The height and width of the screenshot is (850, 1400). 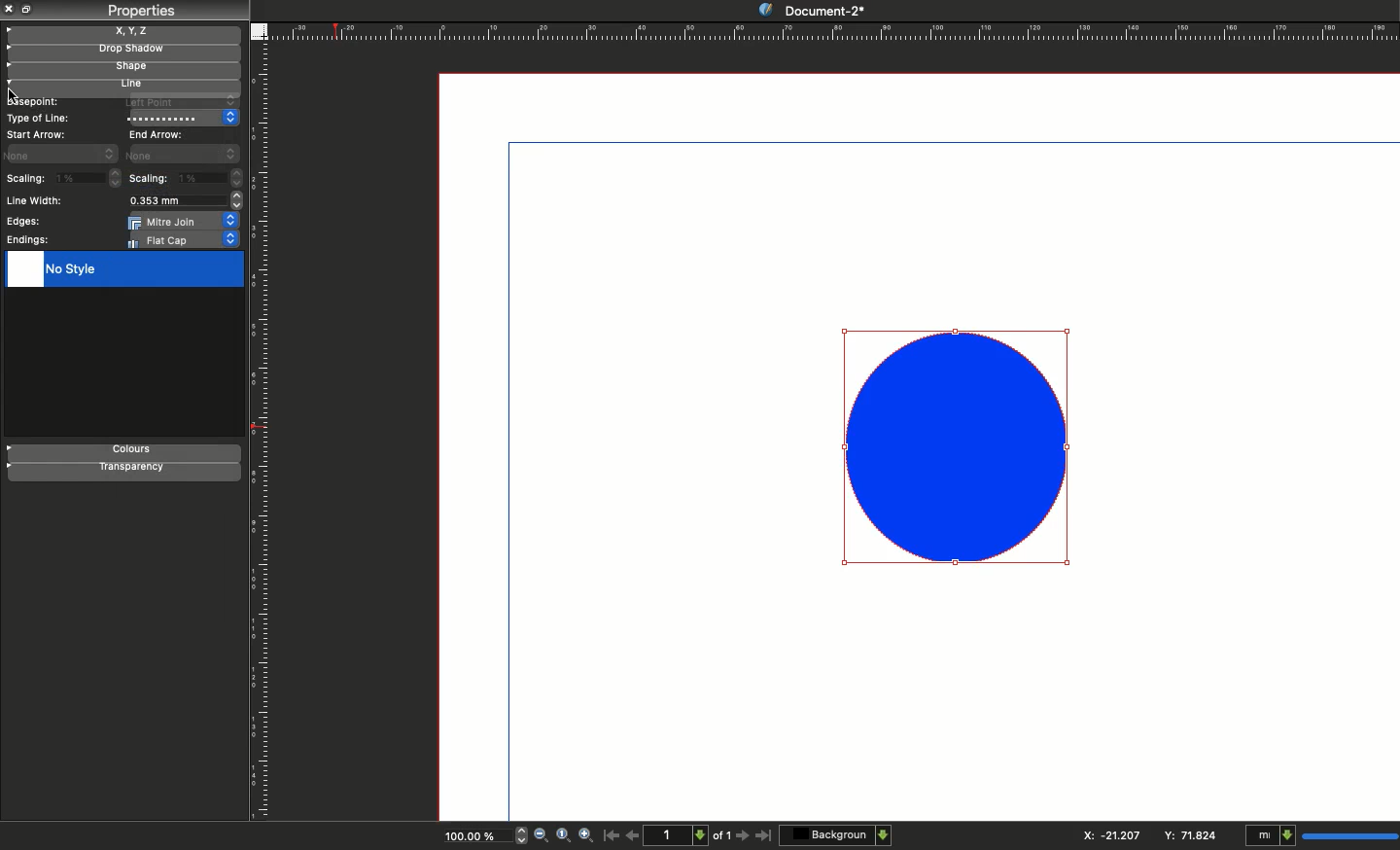 I want to click on colors, so click(x=125, y=451).